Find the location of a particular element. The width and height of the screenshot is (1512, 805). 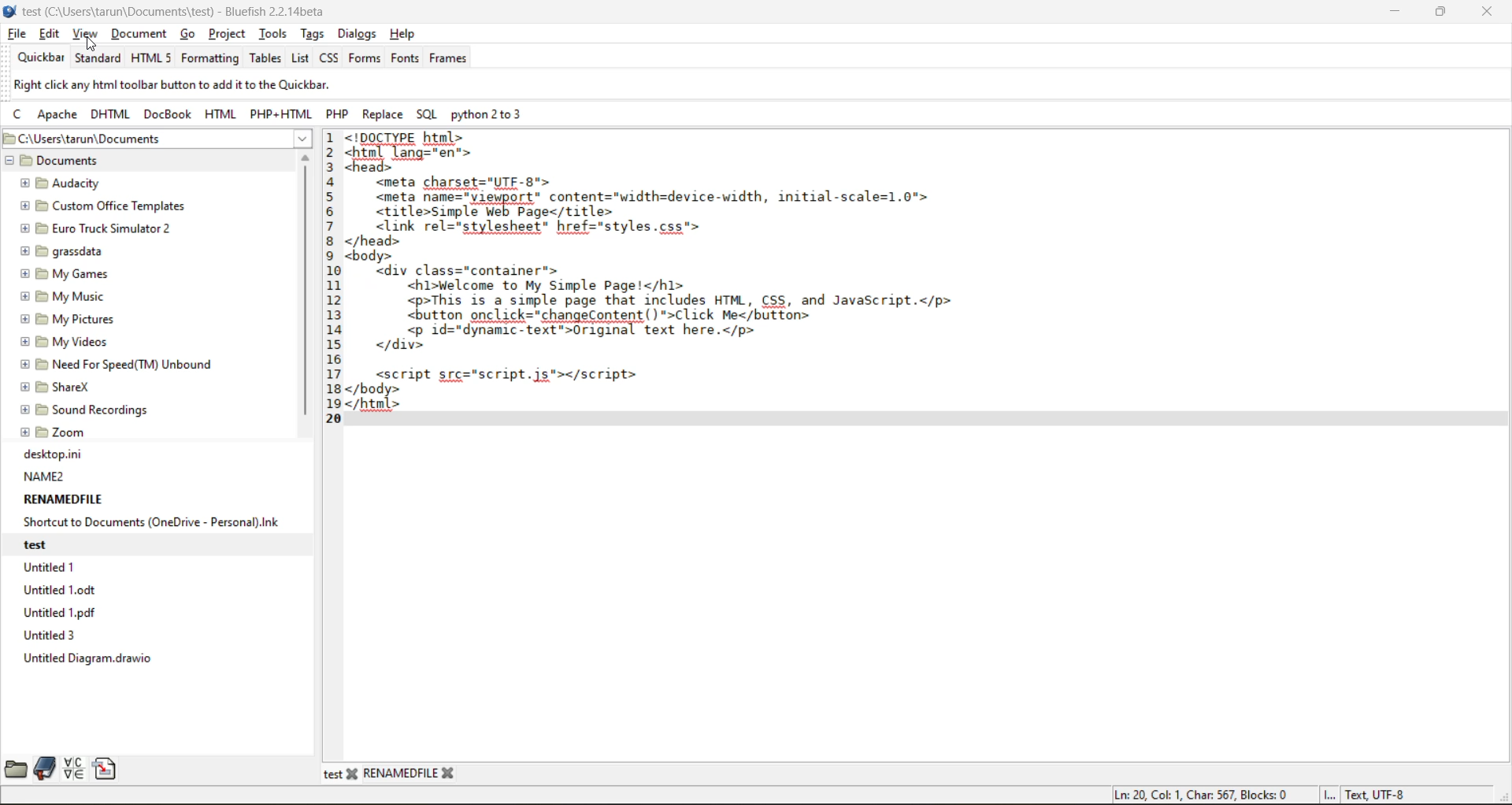

show more is located at coordinates (296, 139).